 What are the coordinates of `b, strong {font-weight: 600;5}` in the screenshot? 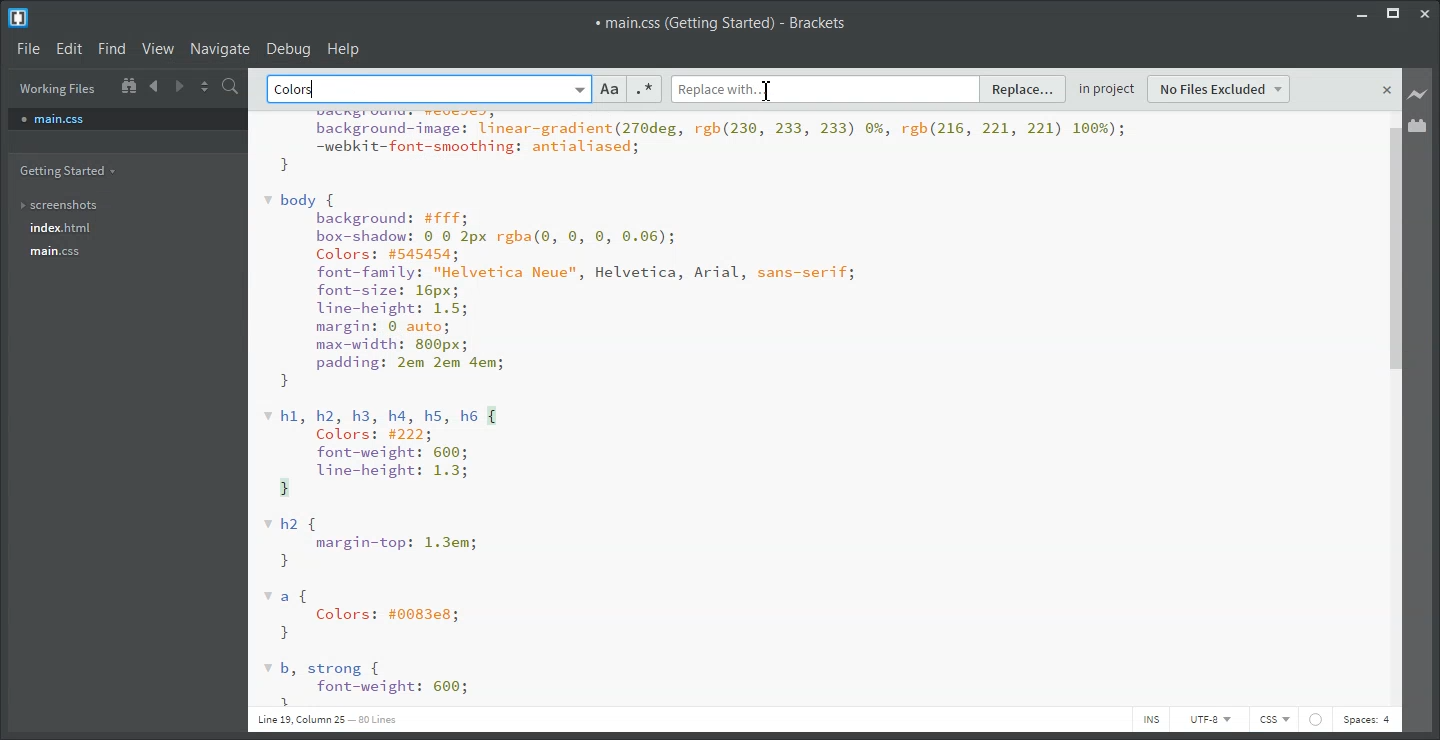 It's located at (366, 683).